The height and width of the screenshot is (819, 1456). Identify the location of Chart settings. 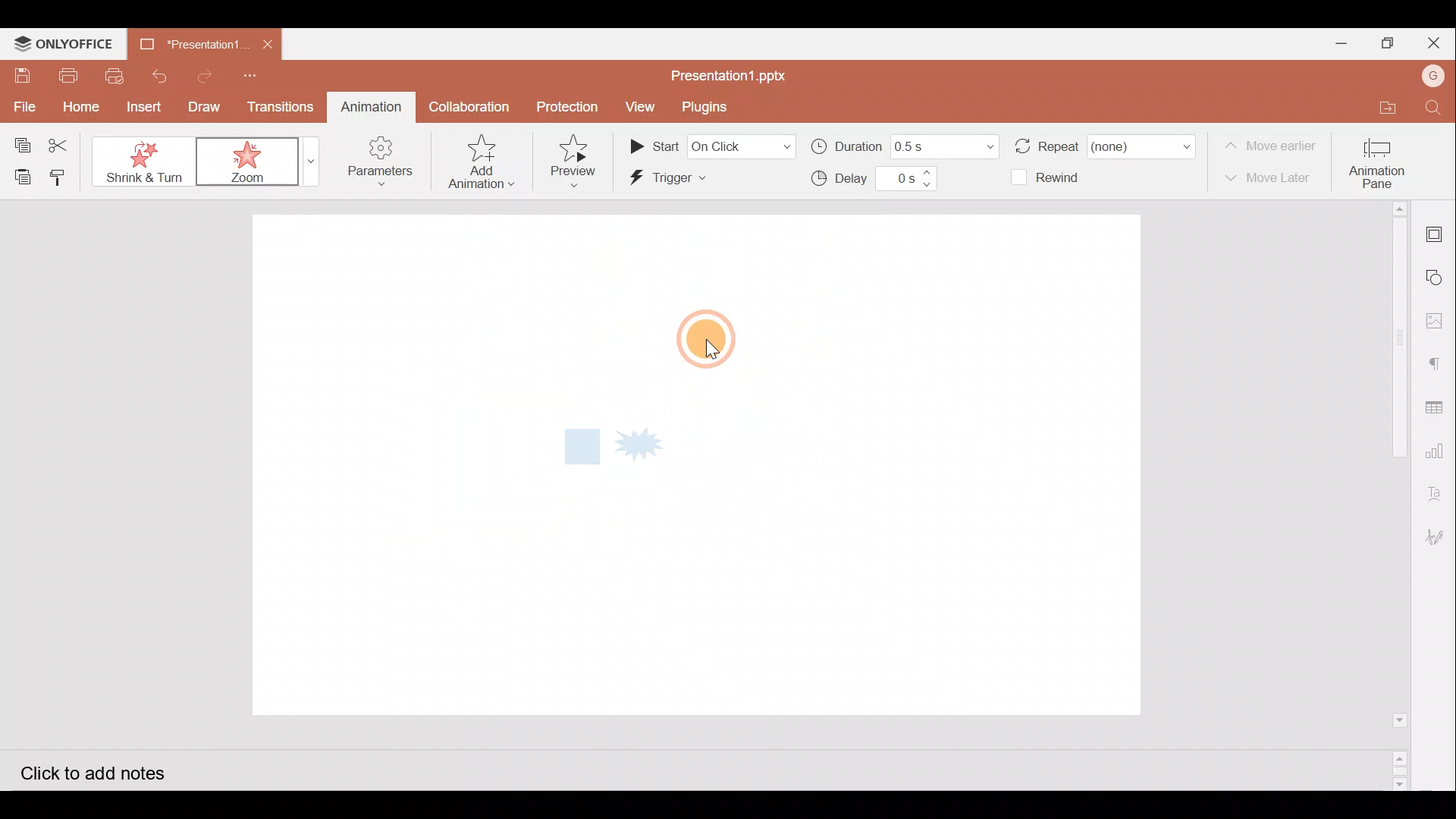
(1438, 450).